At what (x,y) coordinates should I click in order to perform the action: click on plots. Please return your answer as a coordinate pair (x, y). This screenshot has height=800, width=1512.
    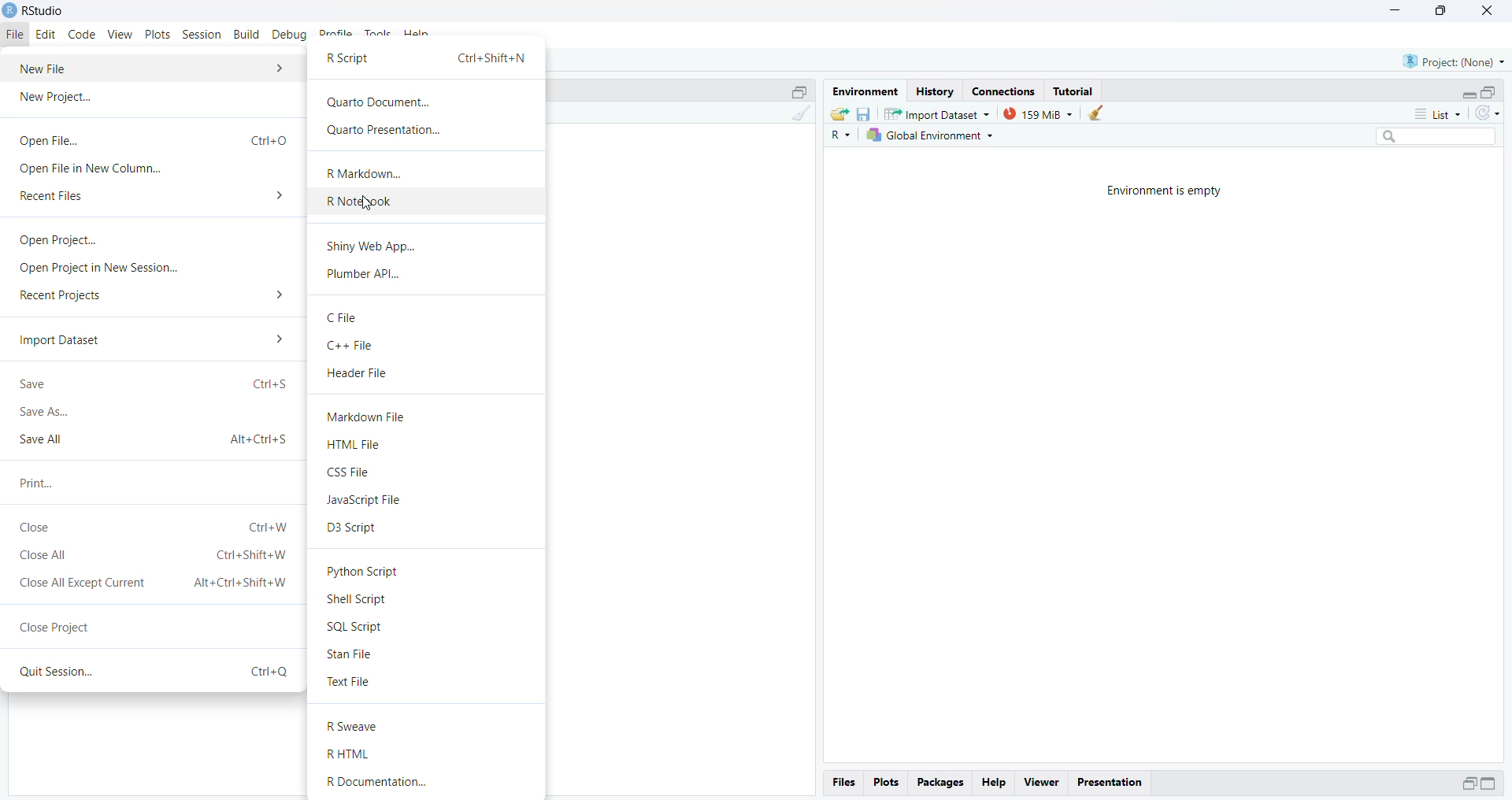
    Looking at the image, I should click on (159, 35).